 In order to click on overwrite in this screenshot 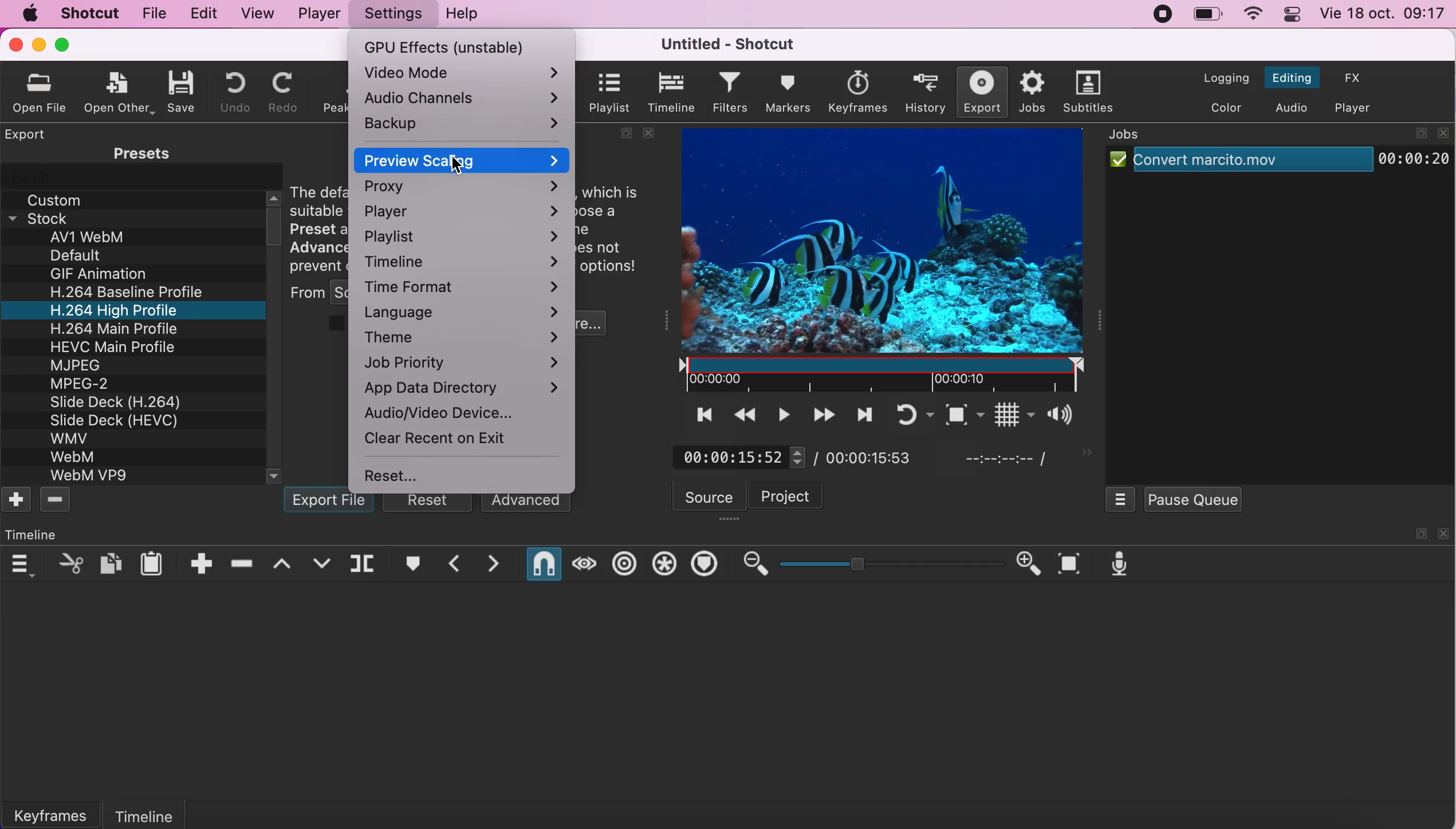, I will do `click(322, 563)`.